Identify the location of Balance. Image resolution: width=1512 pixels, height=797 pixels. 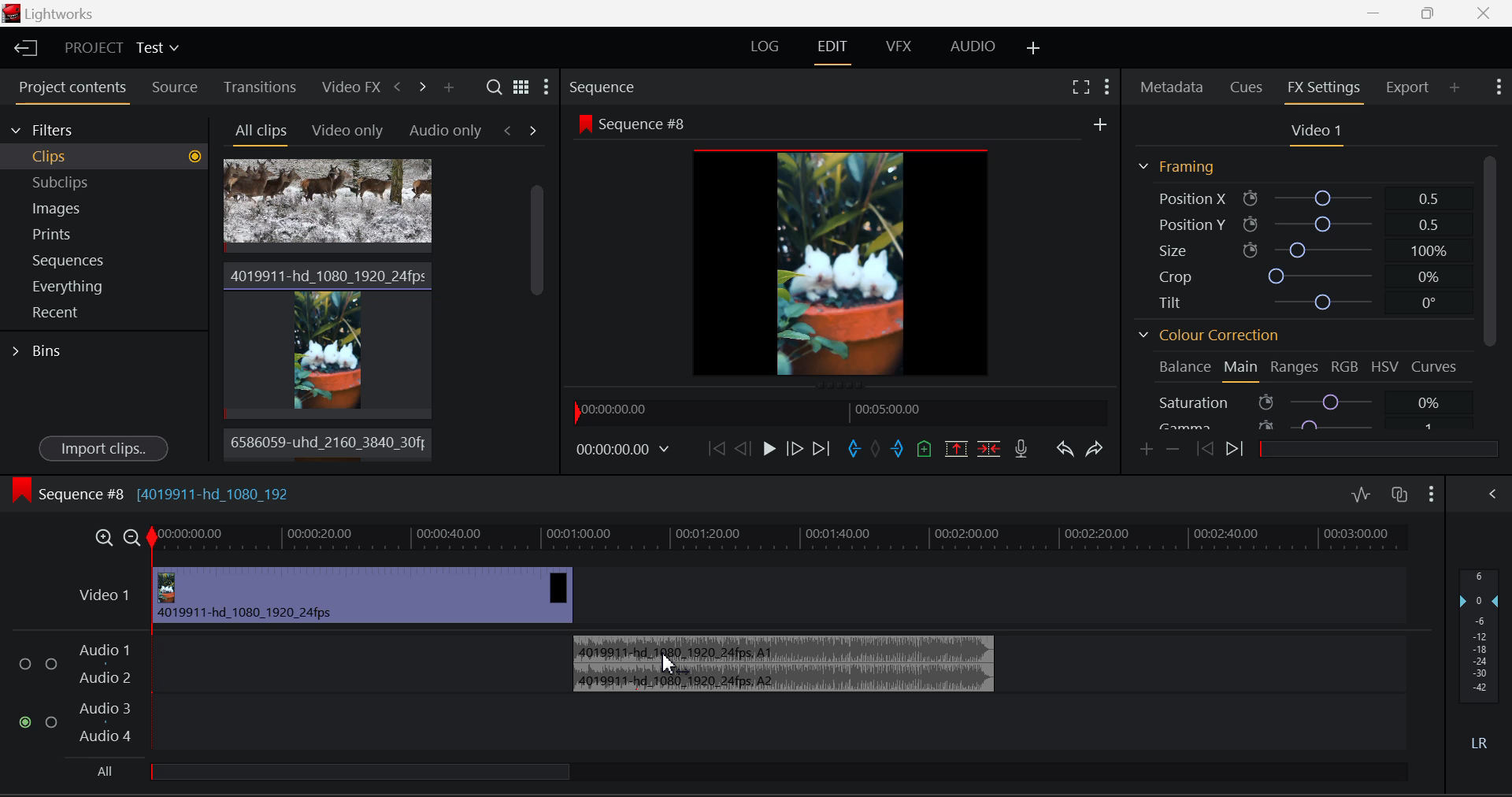
(1181, 369).